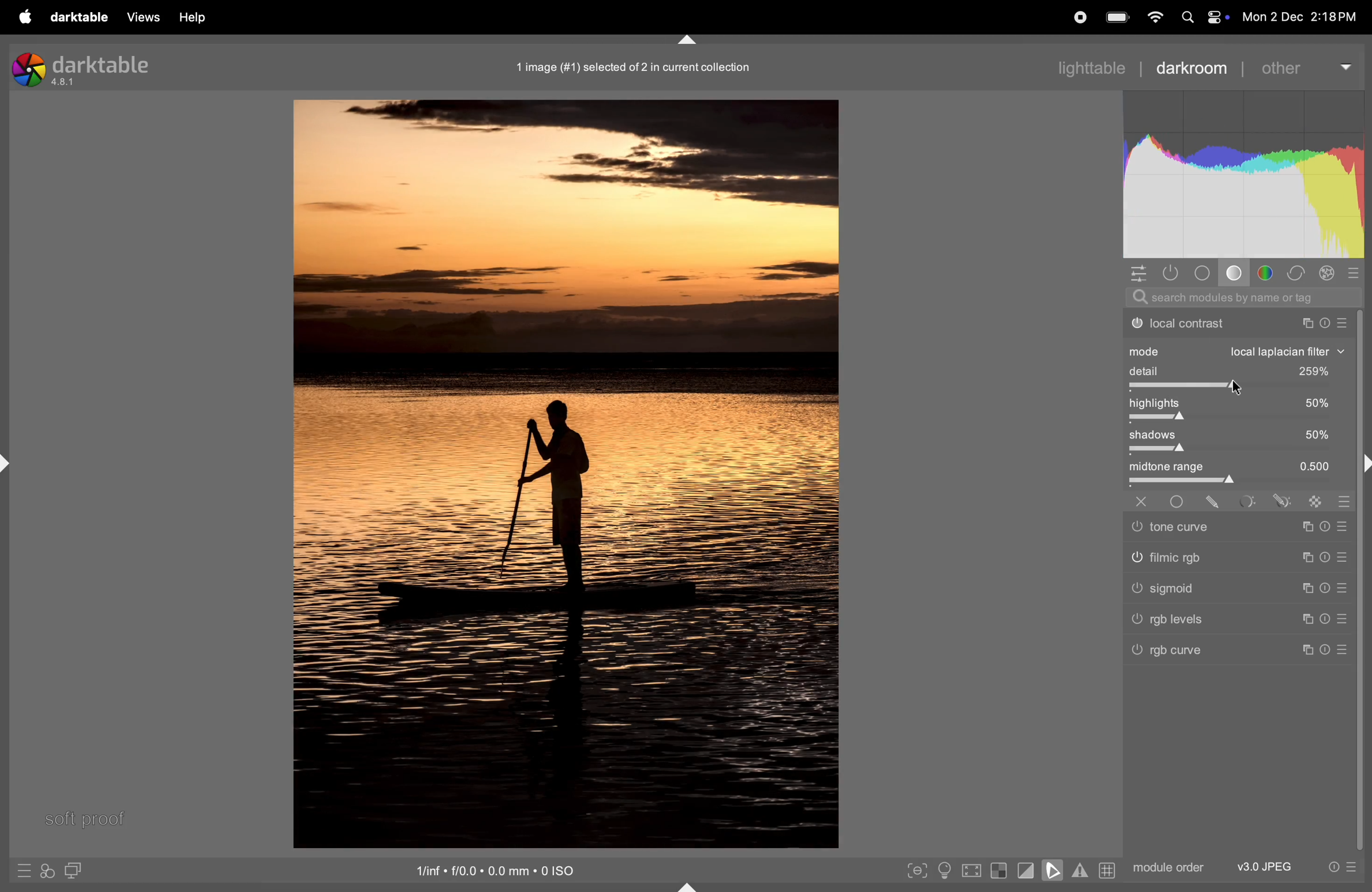  I want to click on sign , so click(1310, 531).